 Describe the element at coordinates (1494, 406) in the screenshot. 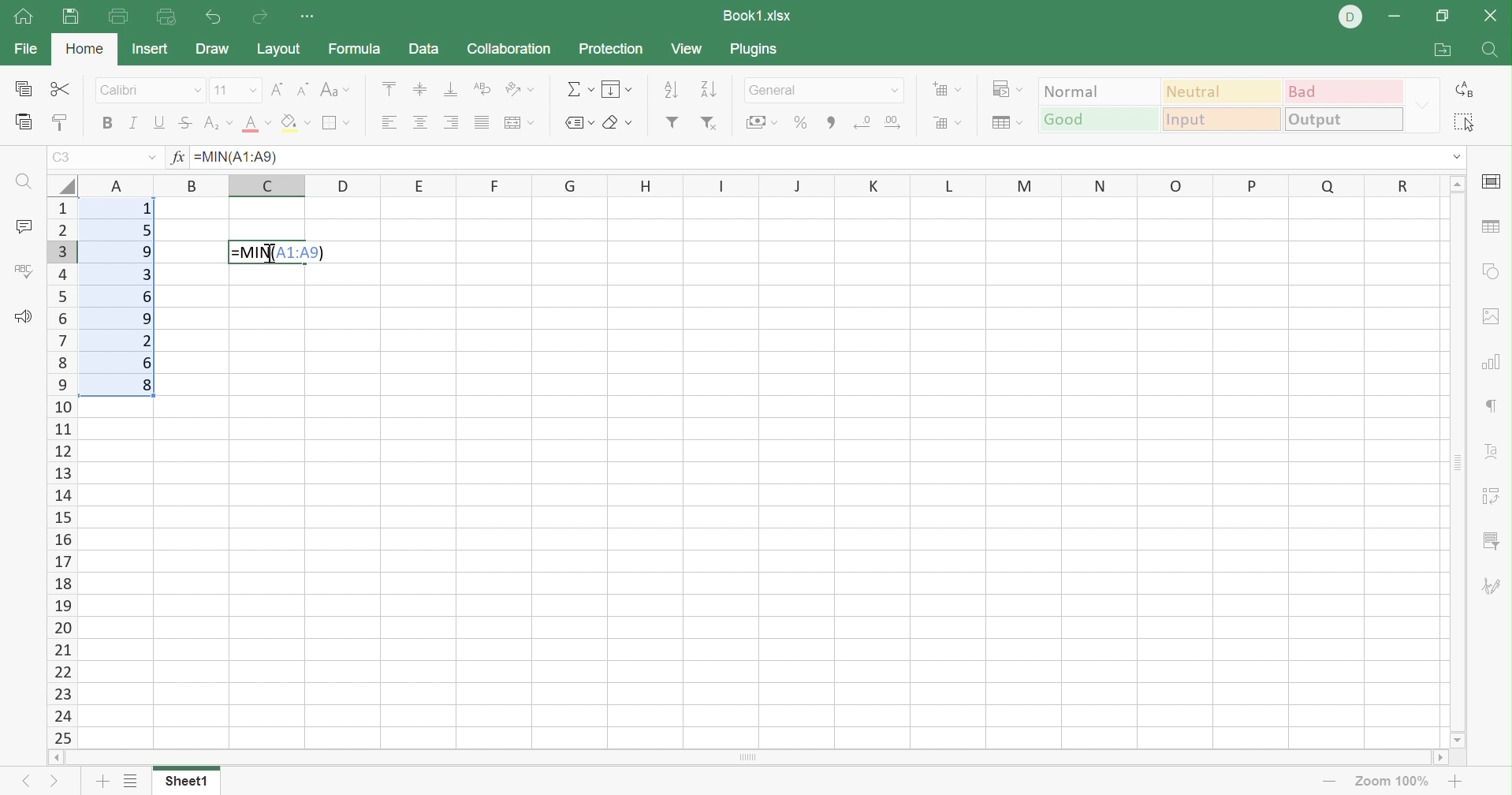

I see `Paragraph settings` at that location.